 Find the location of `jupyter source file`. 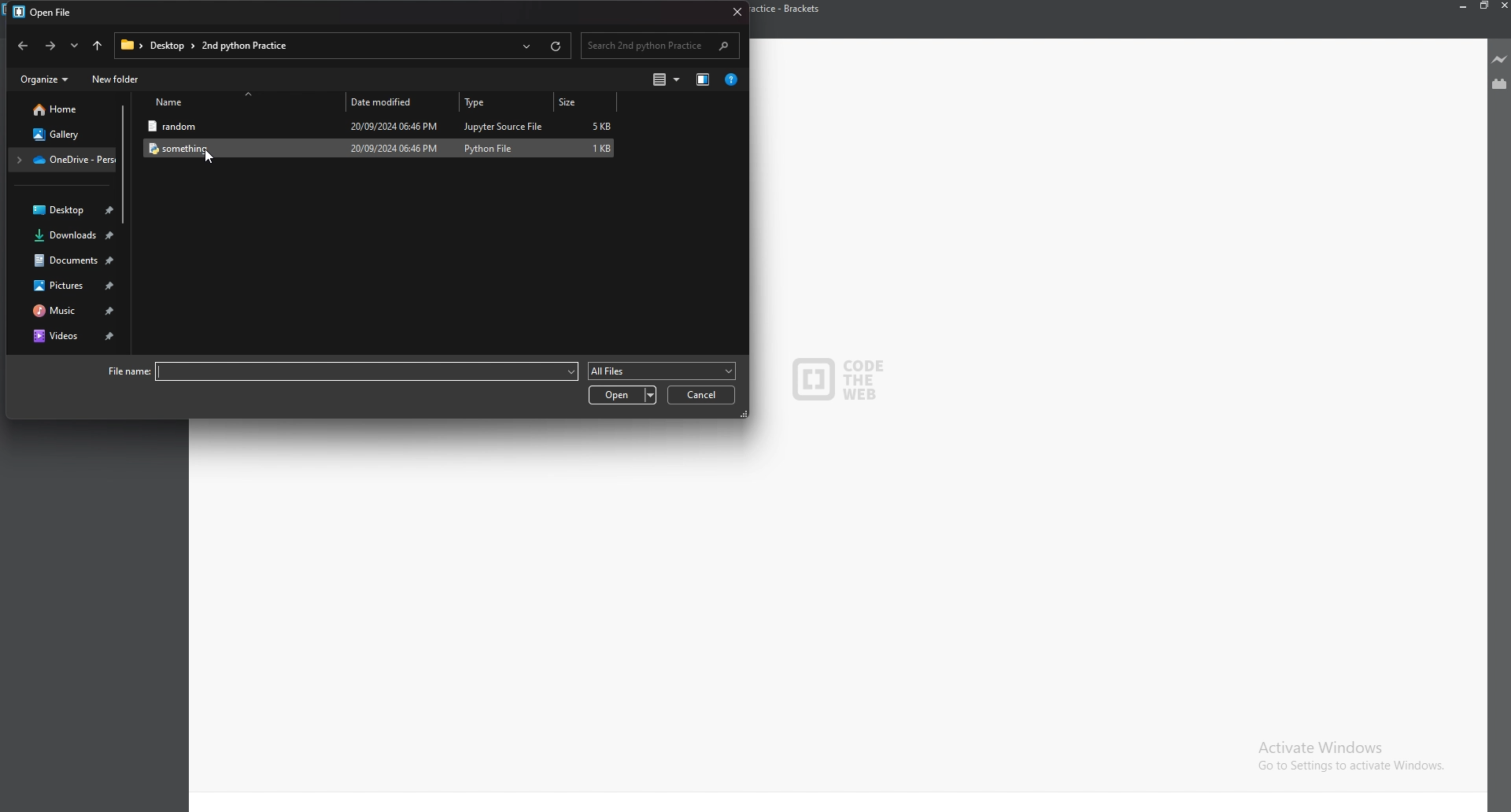

jupyter source file is located at coordinates (504, 126).